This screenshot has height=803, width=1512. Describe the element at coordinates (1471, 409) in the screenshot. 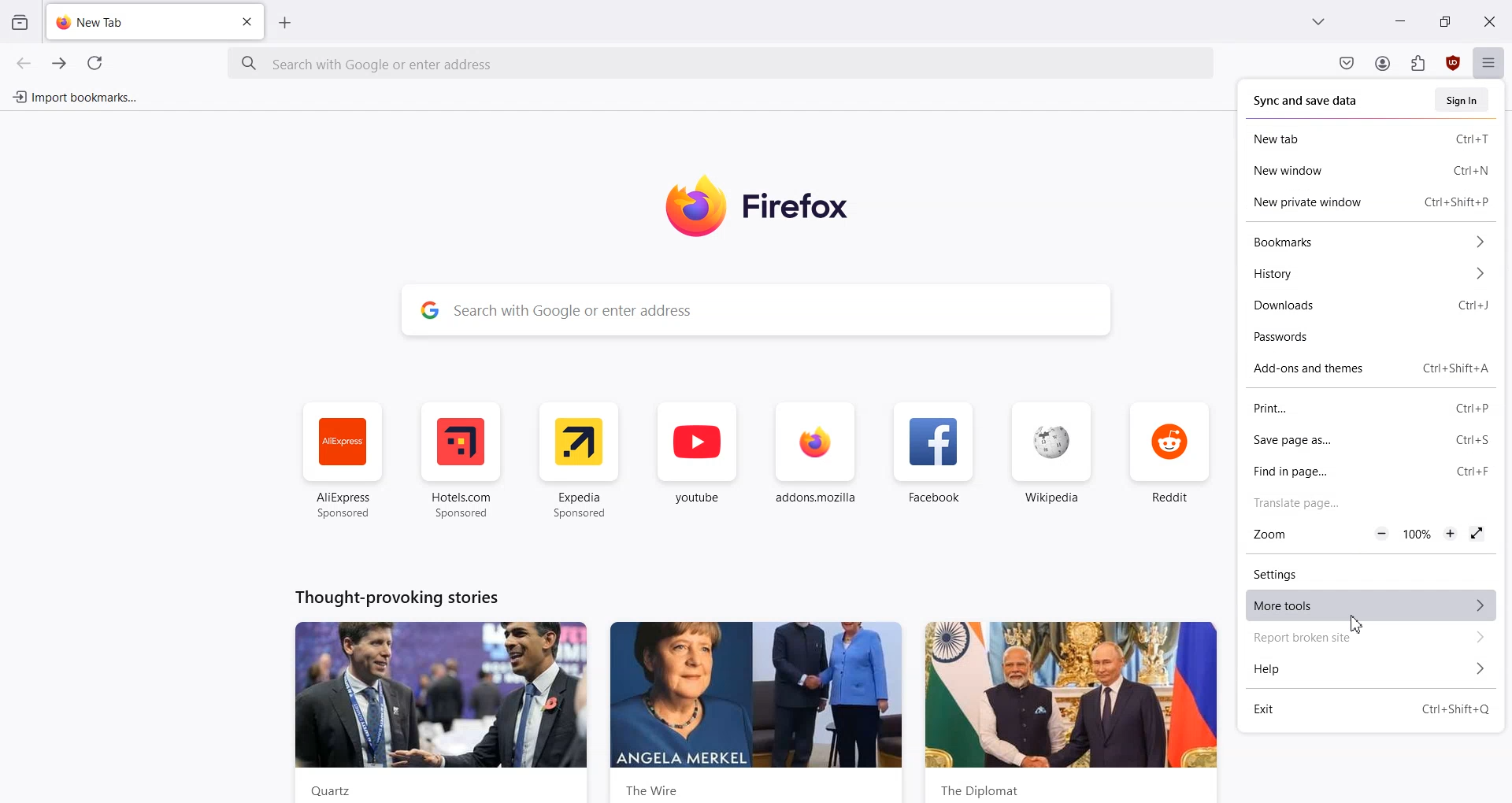

I see `Shortcut key` at that location.